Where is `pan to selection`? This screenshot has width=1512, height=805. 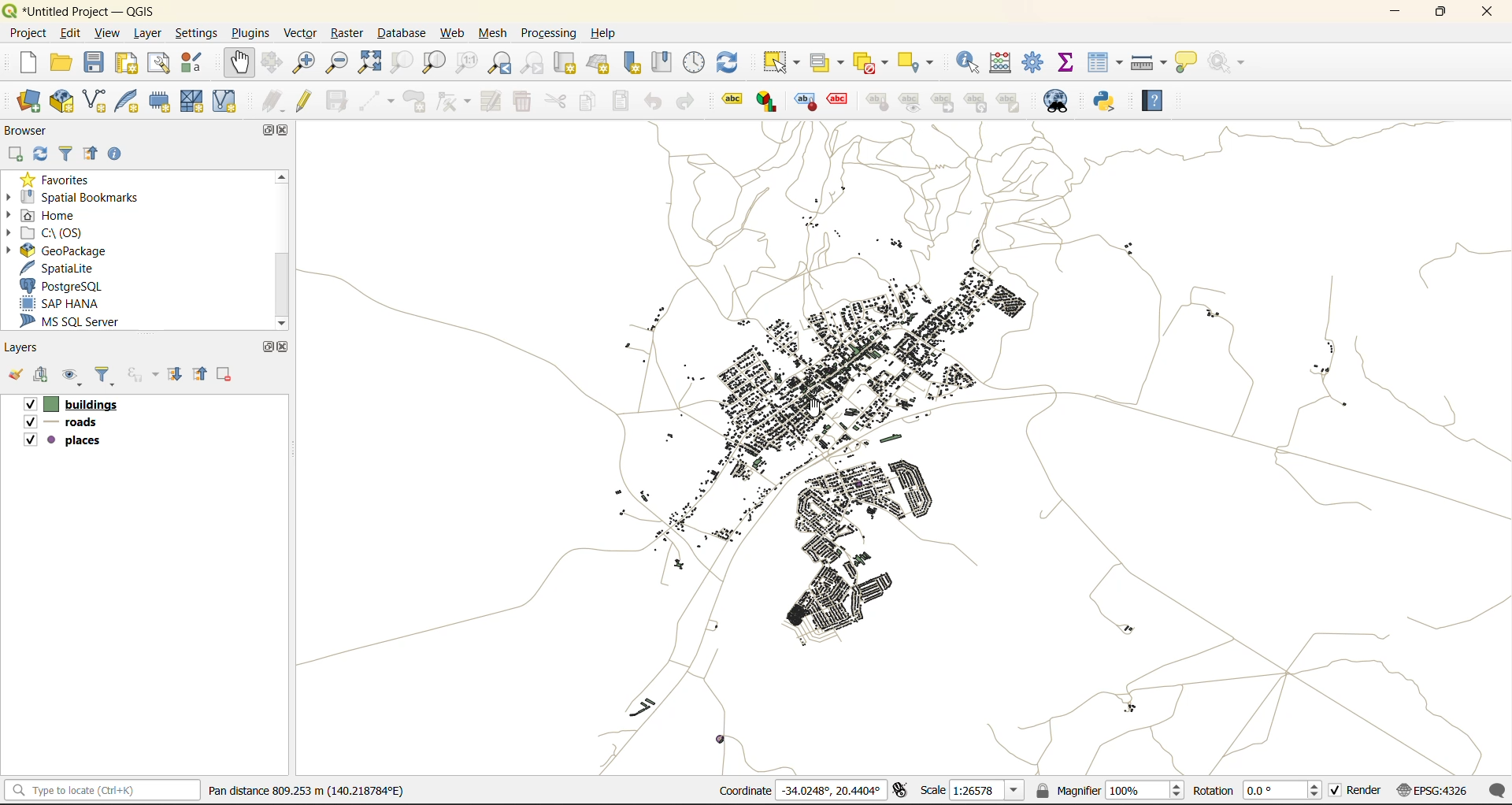
pan to selection is located at coordinates (276, 61).